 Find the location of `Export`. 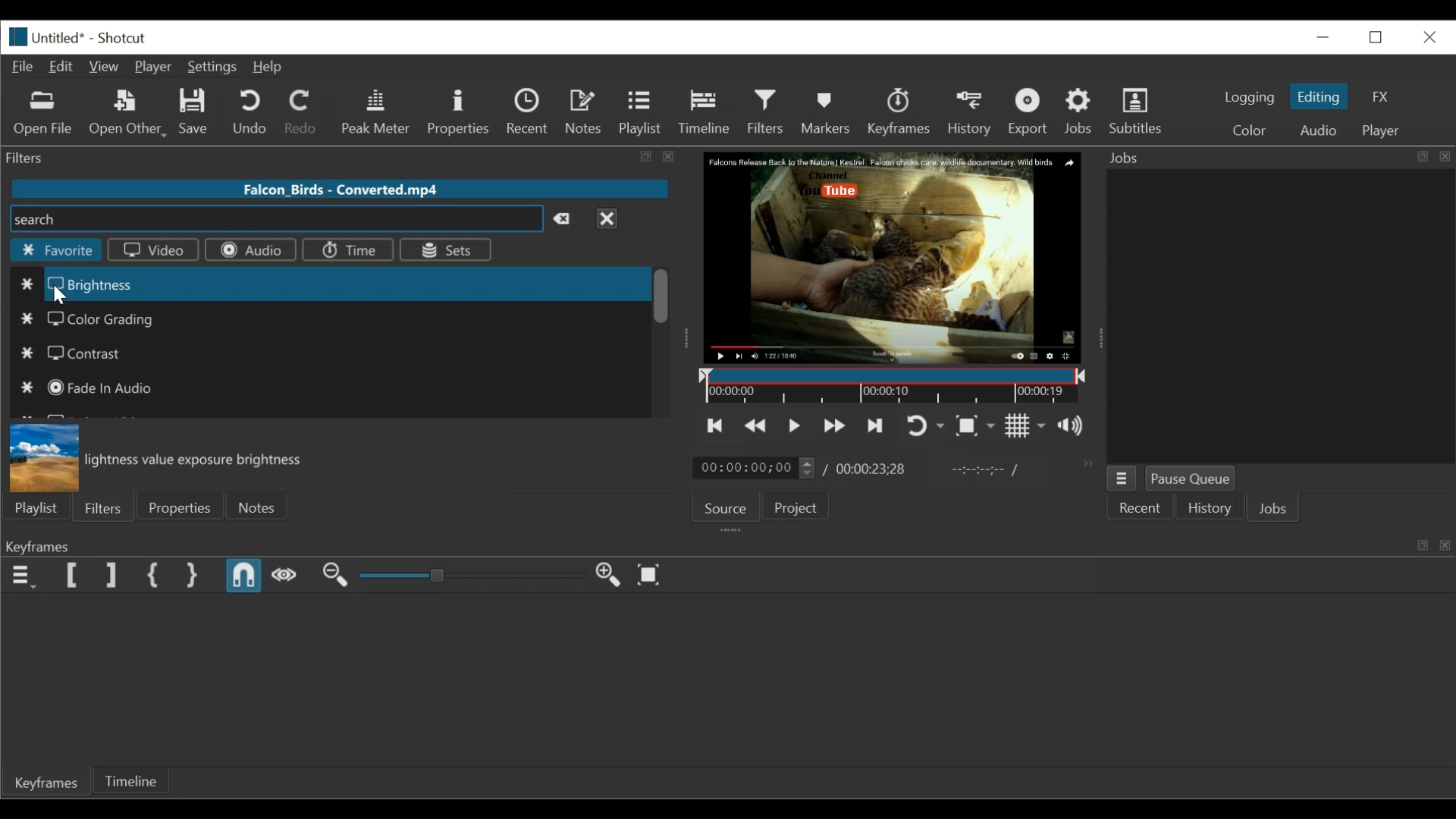

Export is located at coordinates (1029, 112).